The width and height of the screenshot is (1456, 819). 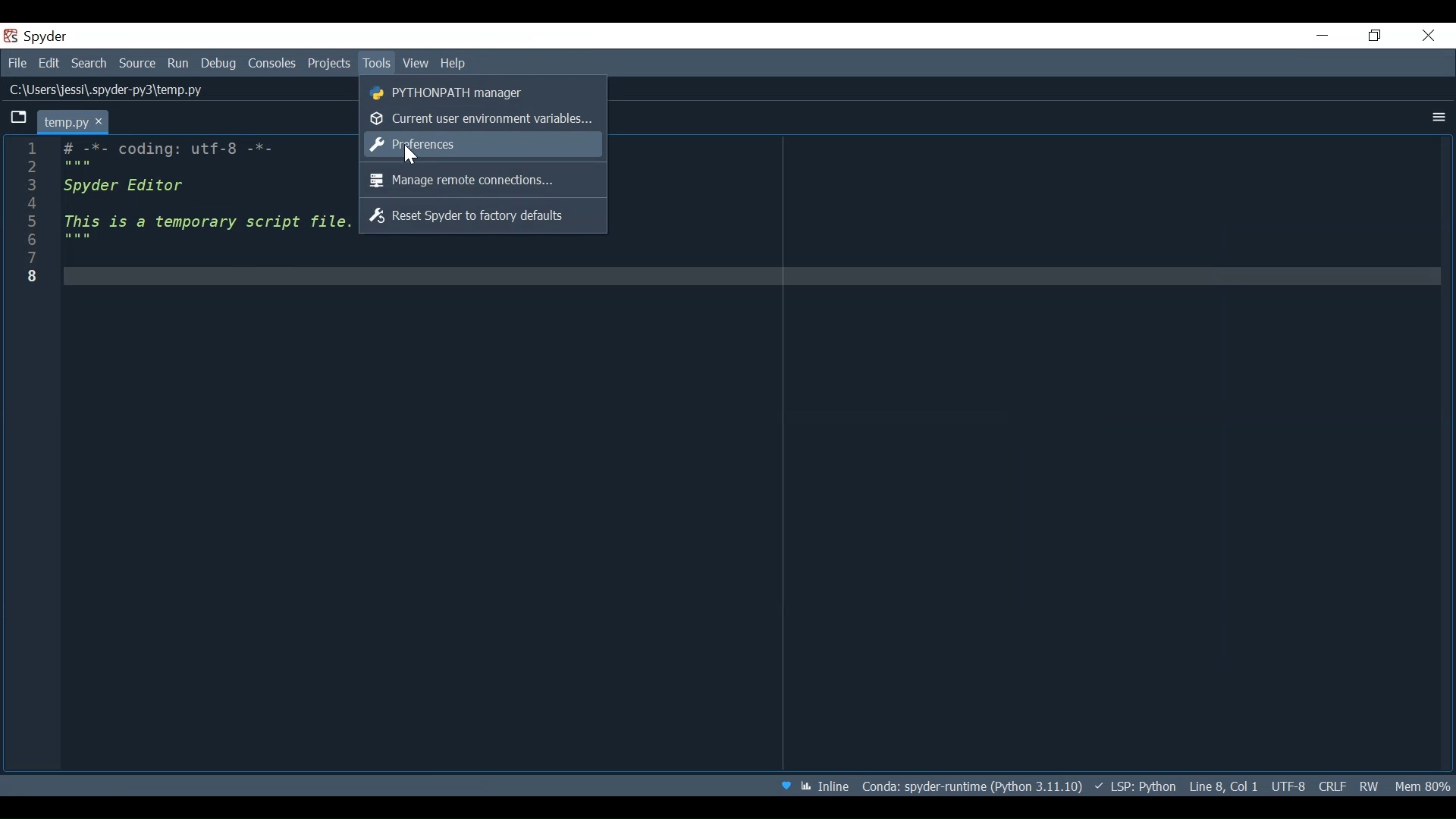 I want to click on Editor, so click(x=206, y=195).